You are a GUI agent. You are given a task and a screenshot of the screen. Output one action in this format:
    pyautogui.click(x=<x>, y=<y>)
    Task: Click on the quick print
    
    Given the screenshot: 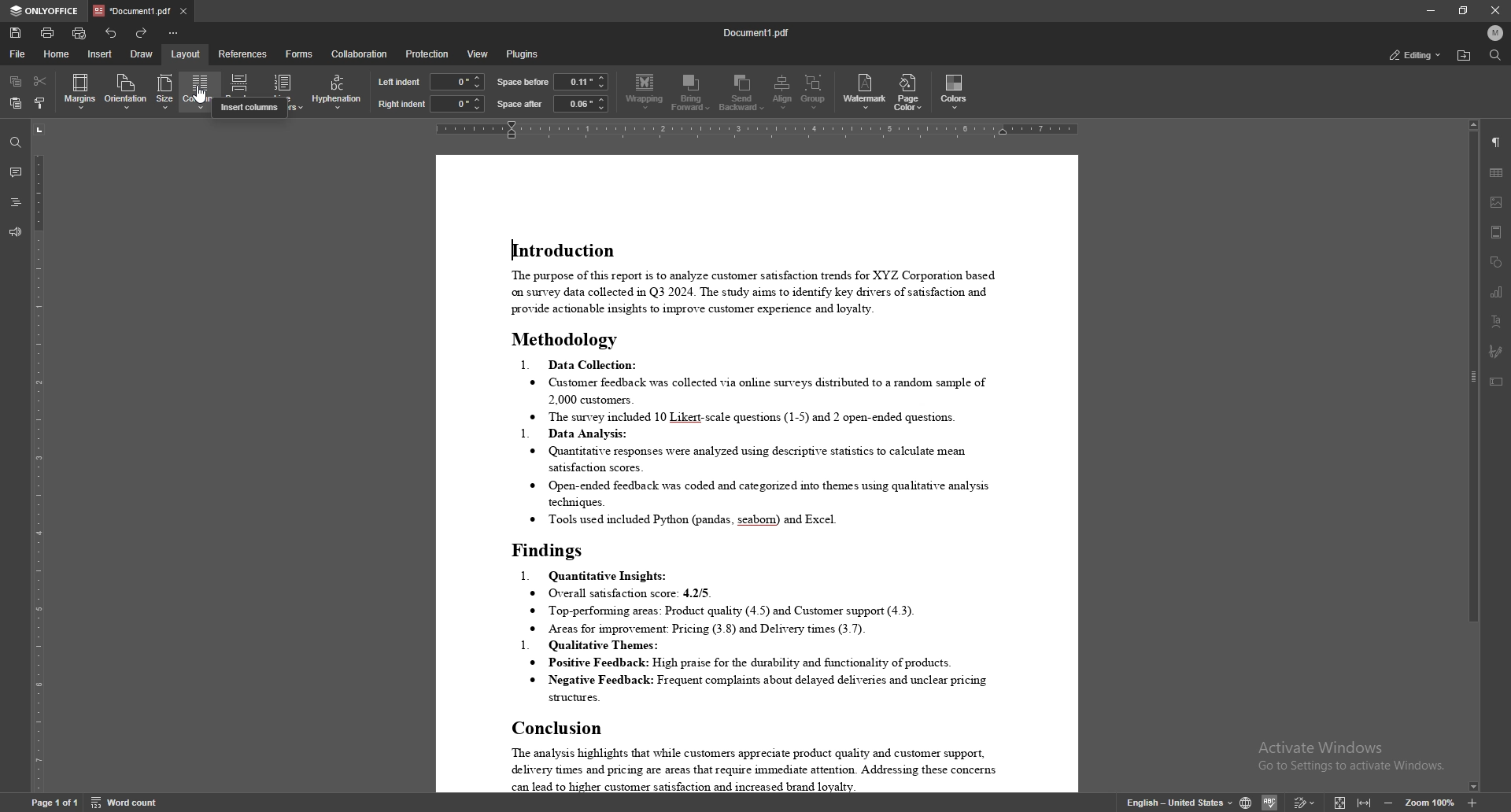 What is the action you would take?
    pyautogui.click(x=79, y=34)
    